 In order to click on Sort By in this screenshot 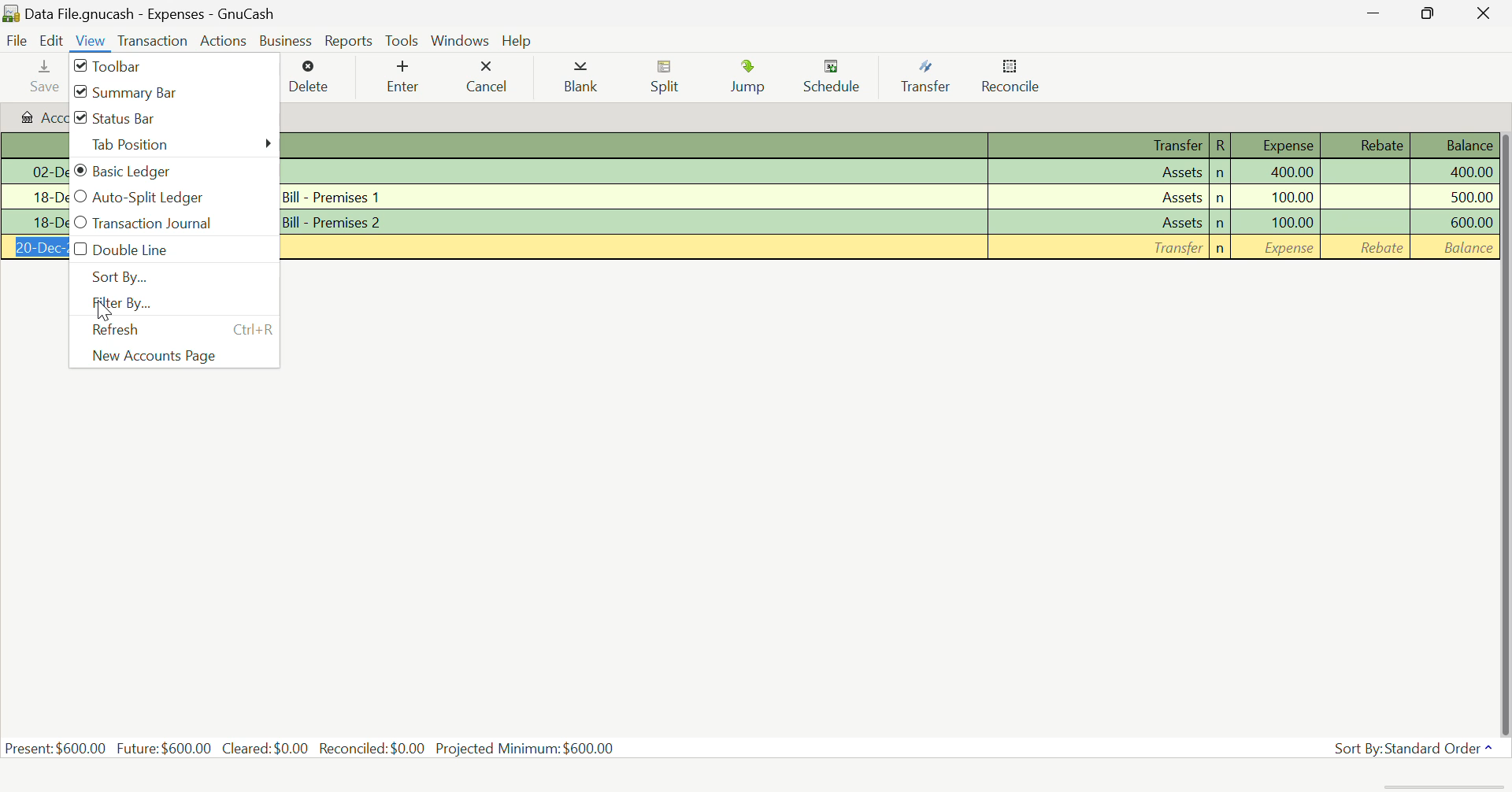, I will do `click(173, 277)`.